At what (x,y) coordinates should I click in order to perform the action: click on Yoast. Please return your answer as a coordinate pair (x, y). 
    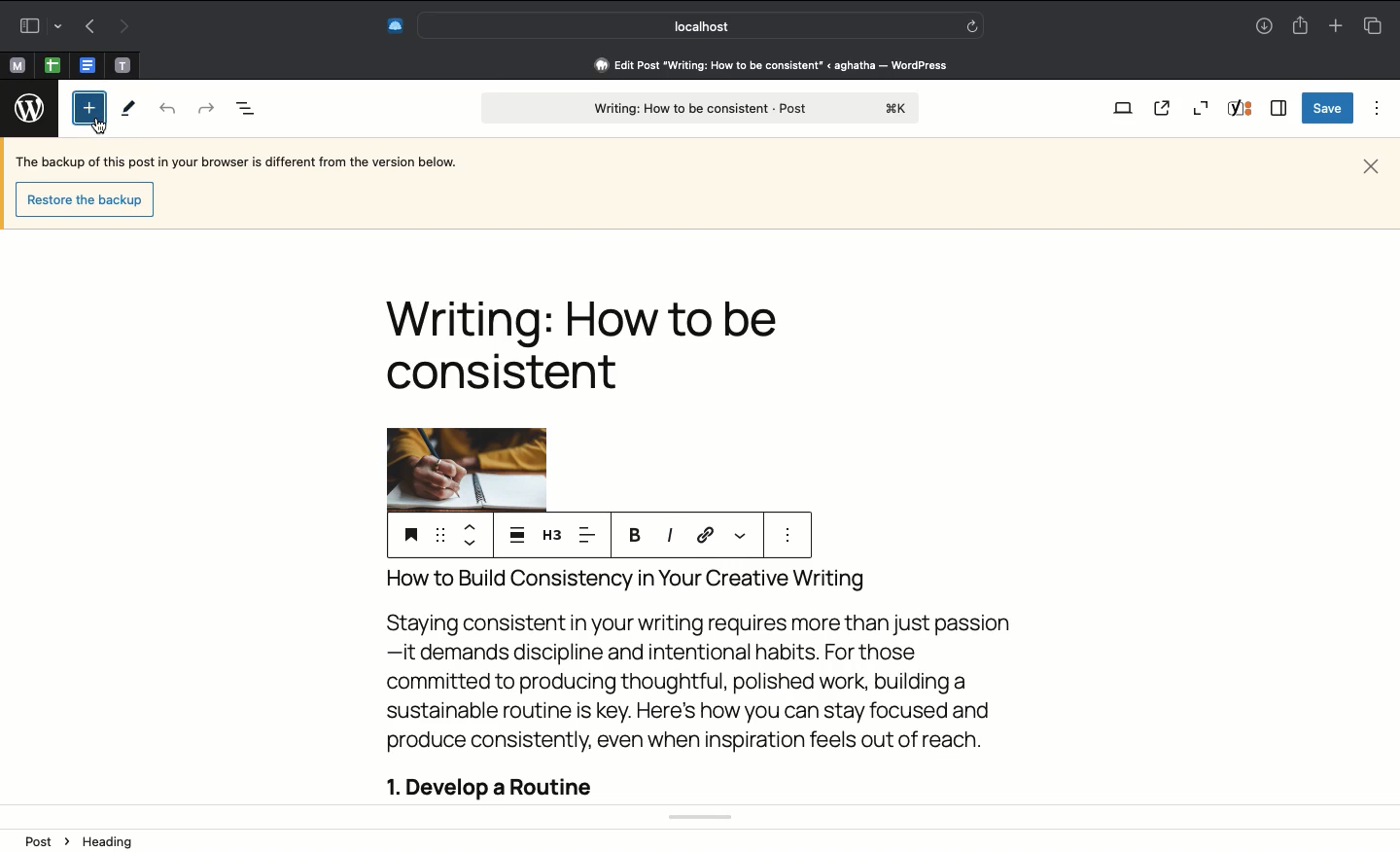
    Looking at the image, I should click on (1242, 109).